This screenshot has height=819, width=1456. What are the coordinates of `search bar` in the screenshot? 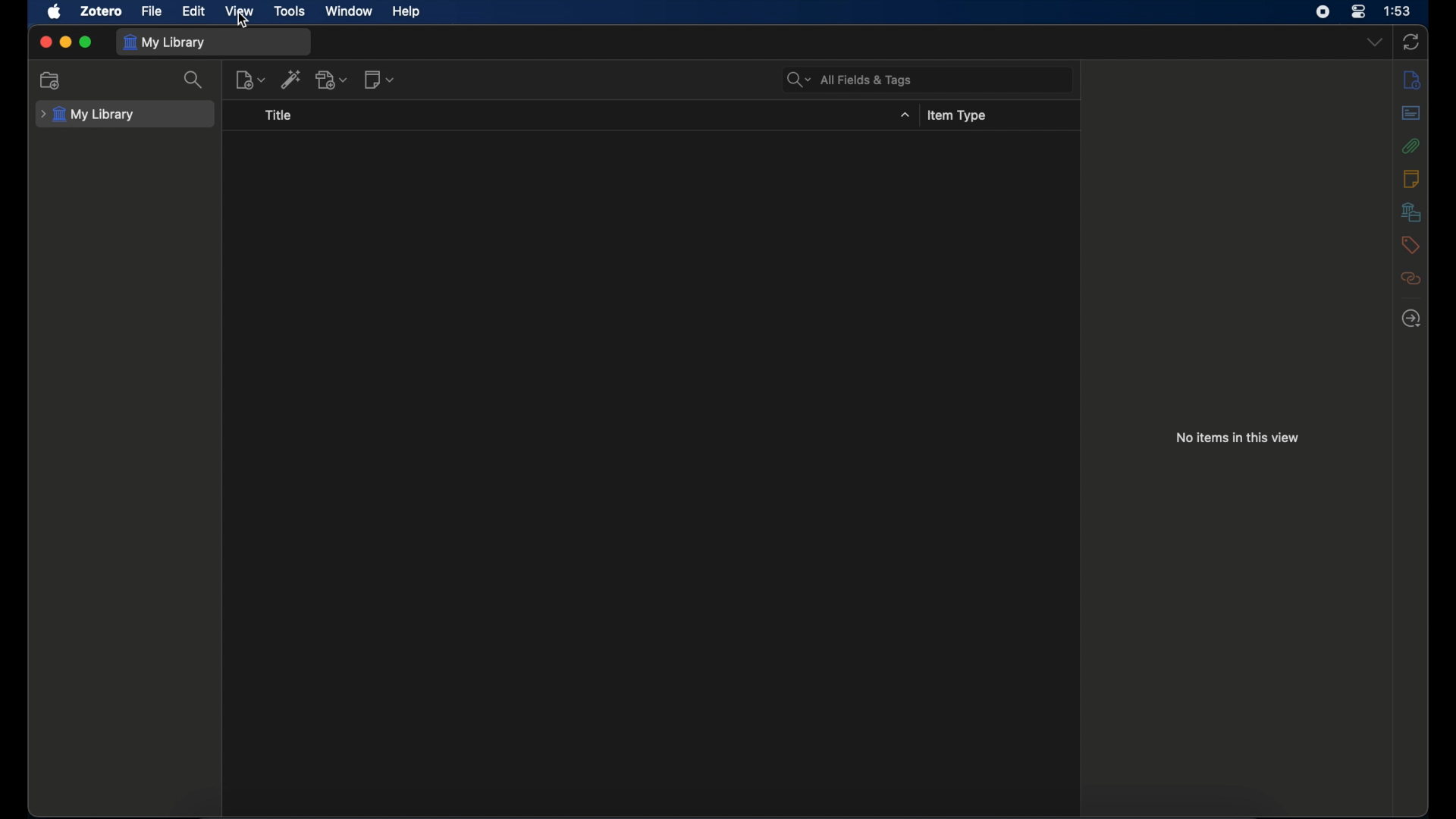 It's located at (849, 80).